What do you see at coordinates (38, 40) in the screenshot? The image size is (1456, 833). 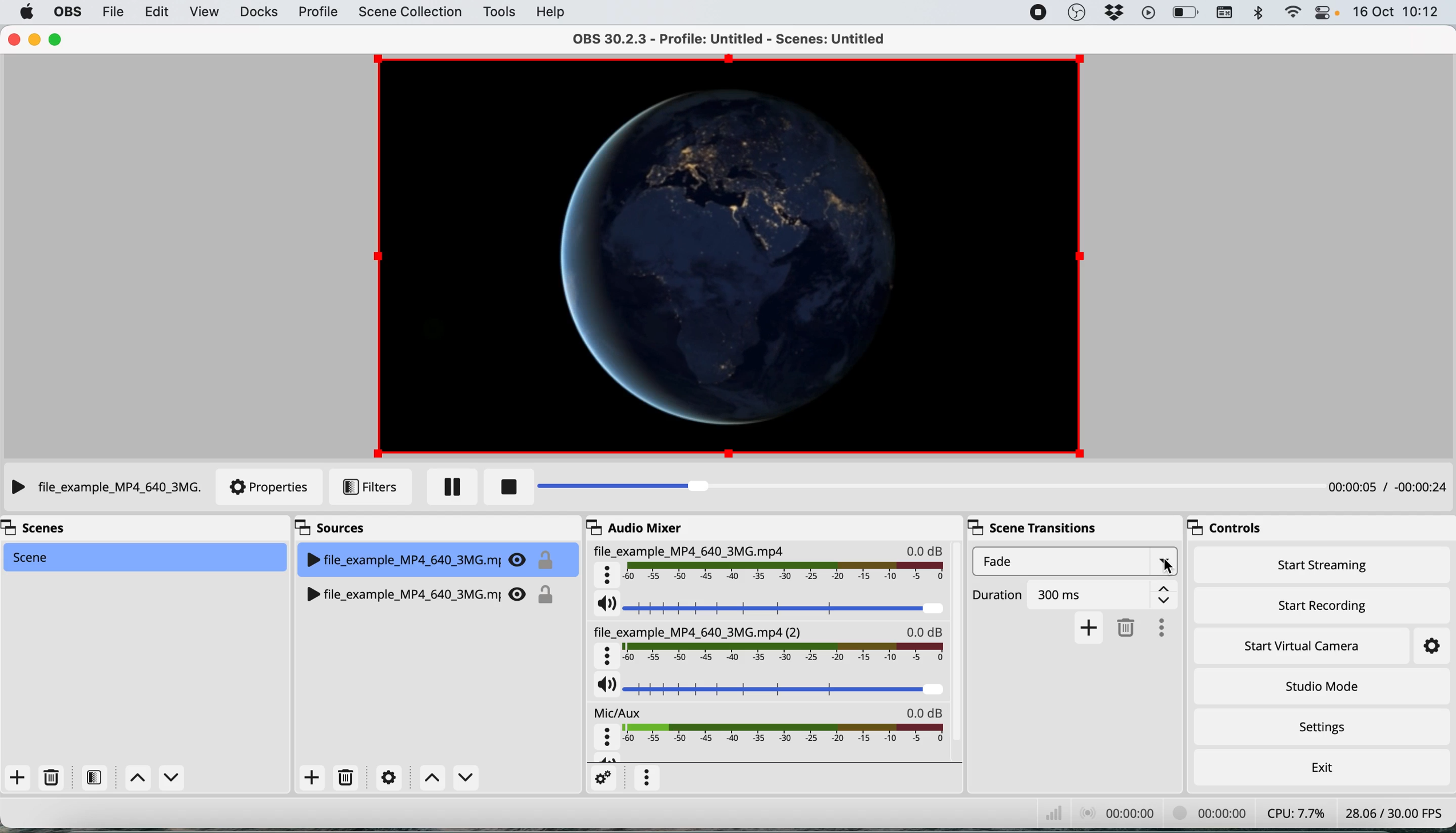 I see `minimise` at bounding box center [38, 40].